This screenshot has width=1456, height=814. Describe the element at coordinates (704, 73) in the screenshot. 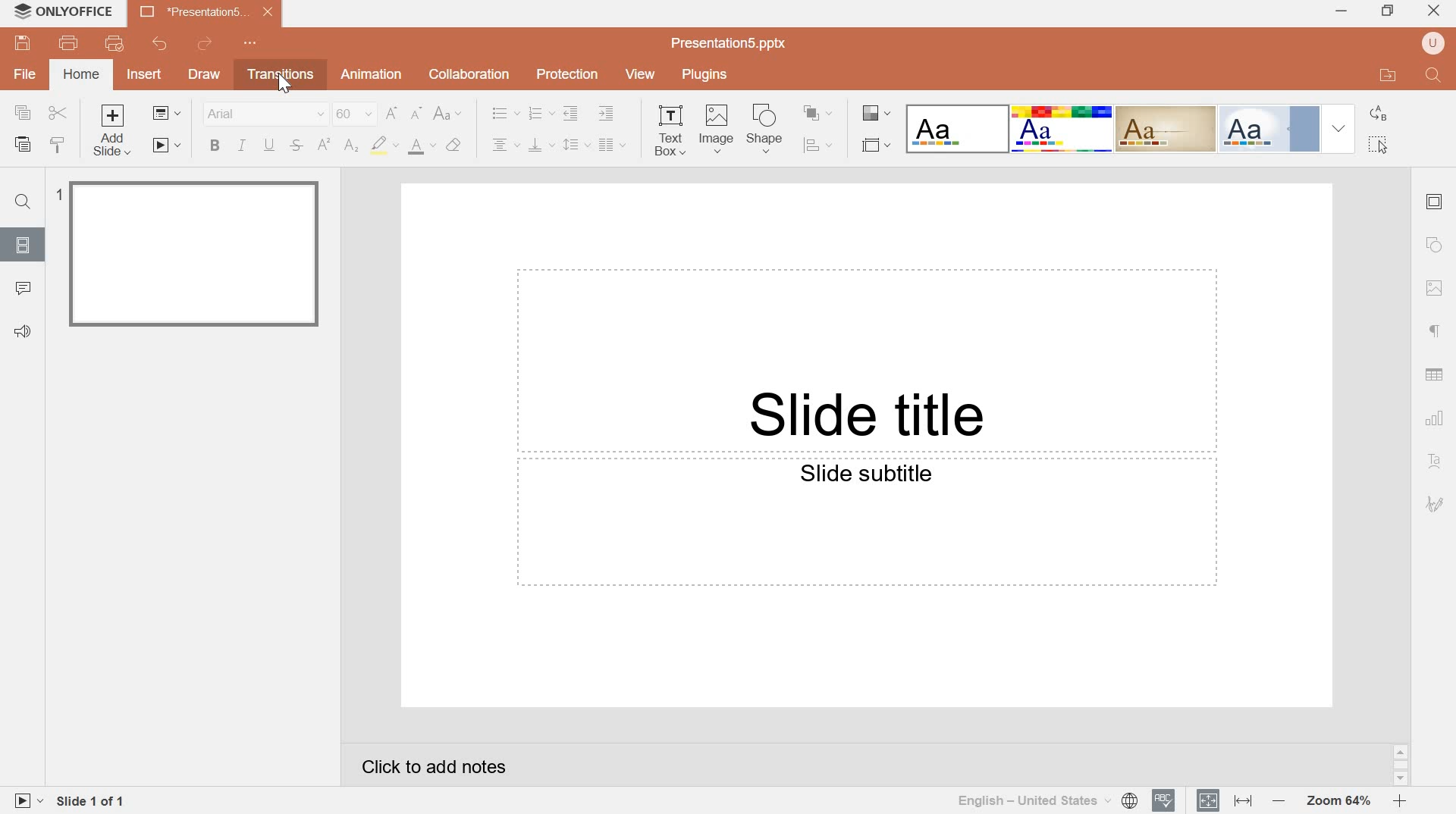

I see `Plugins` at that location.